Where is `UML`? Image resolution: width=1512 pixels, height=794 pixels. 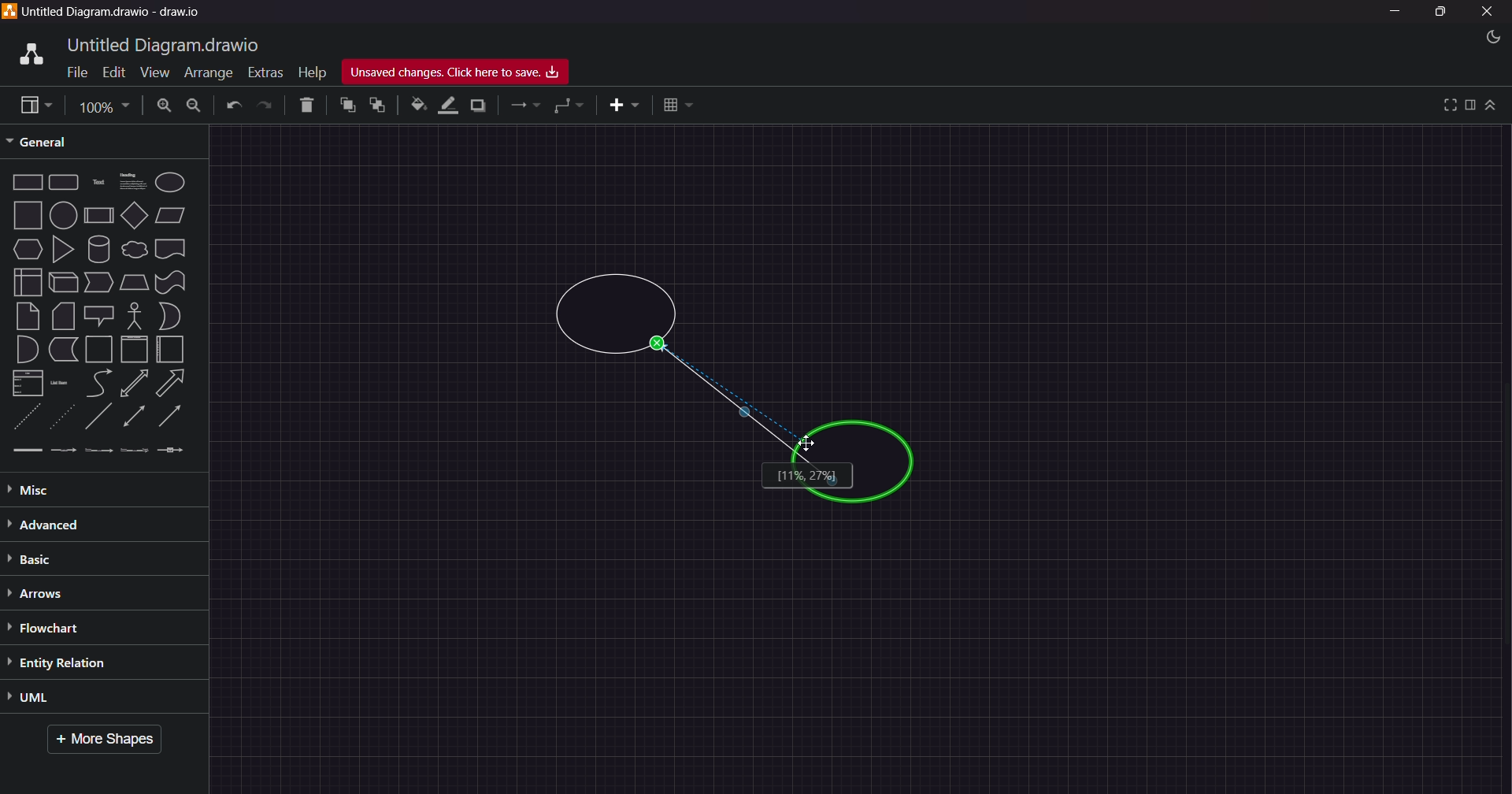 UML is located at coordinates (72, 699).